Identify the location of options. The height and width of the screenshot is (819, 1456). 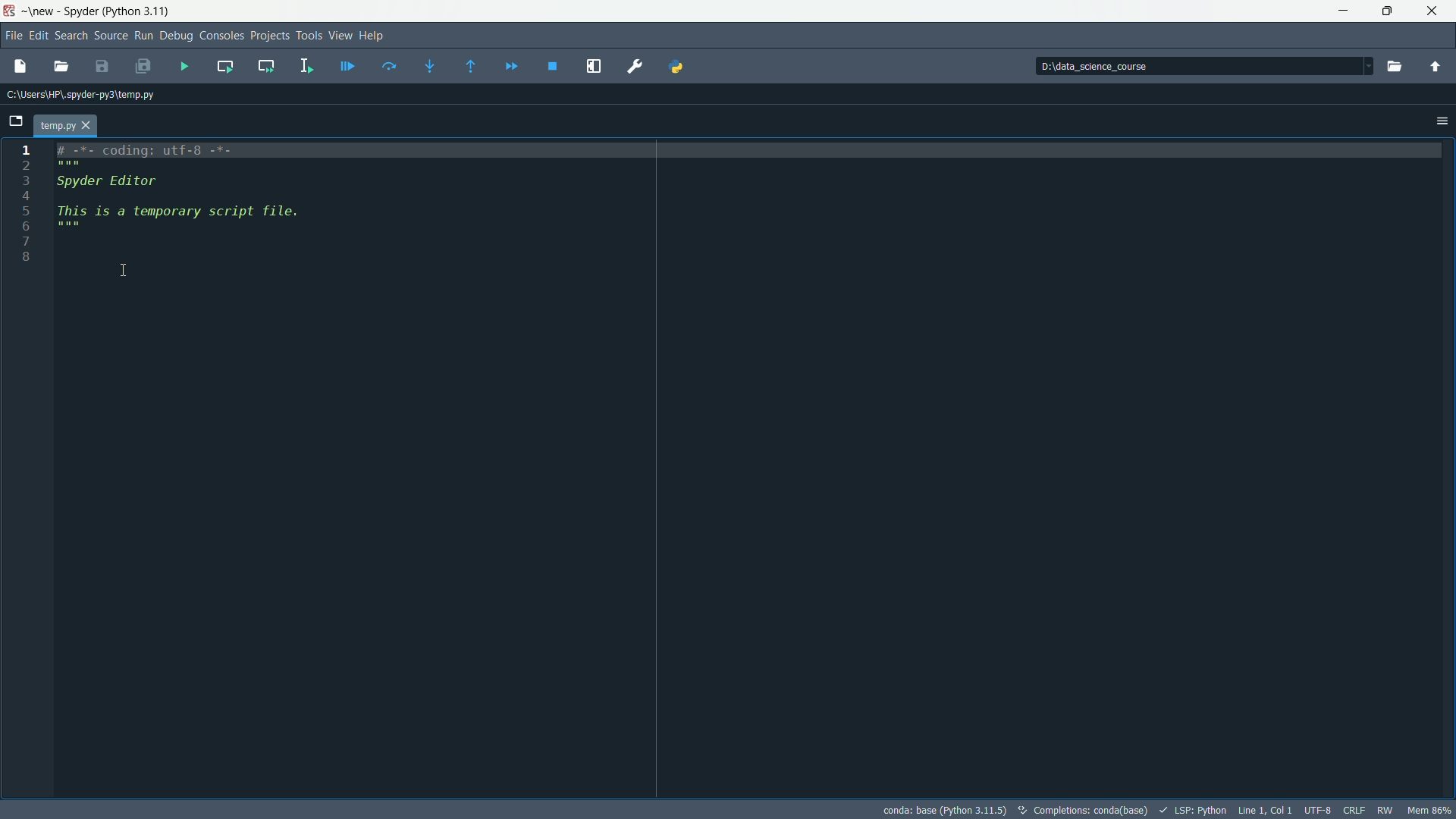
(1439, 121).